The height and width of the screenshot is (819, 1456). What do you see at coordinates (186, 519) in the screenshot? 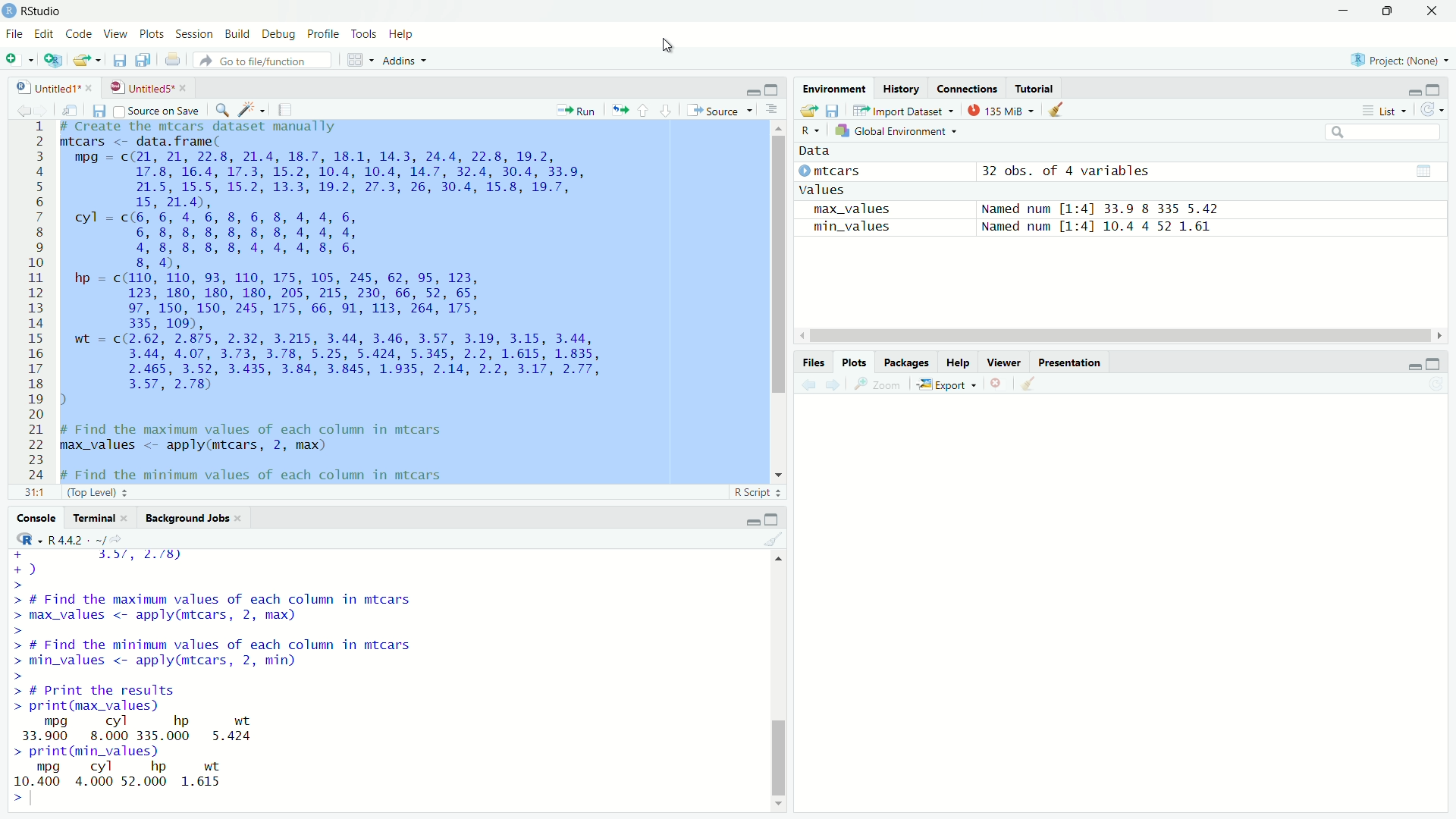
I see `Background Jobs` at bounding box center [186, 519].